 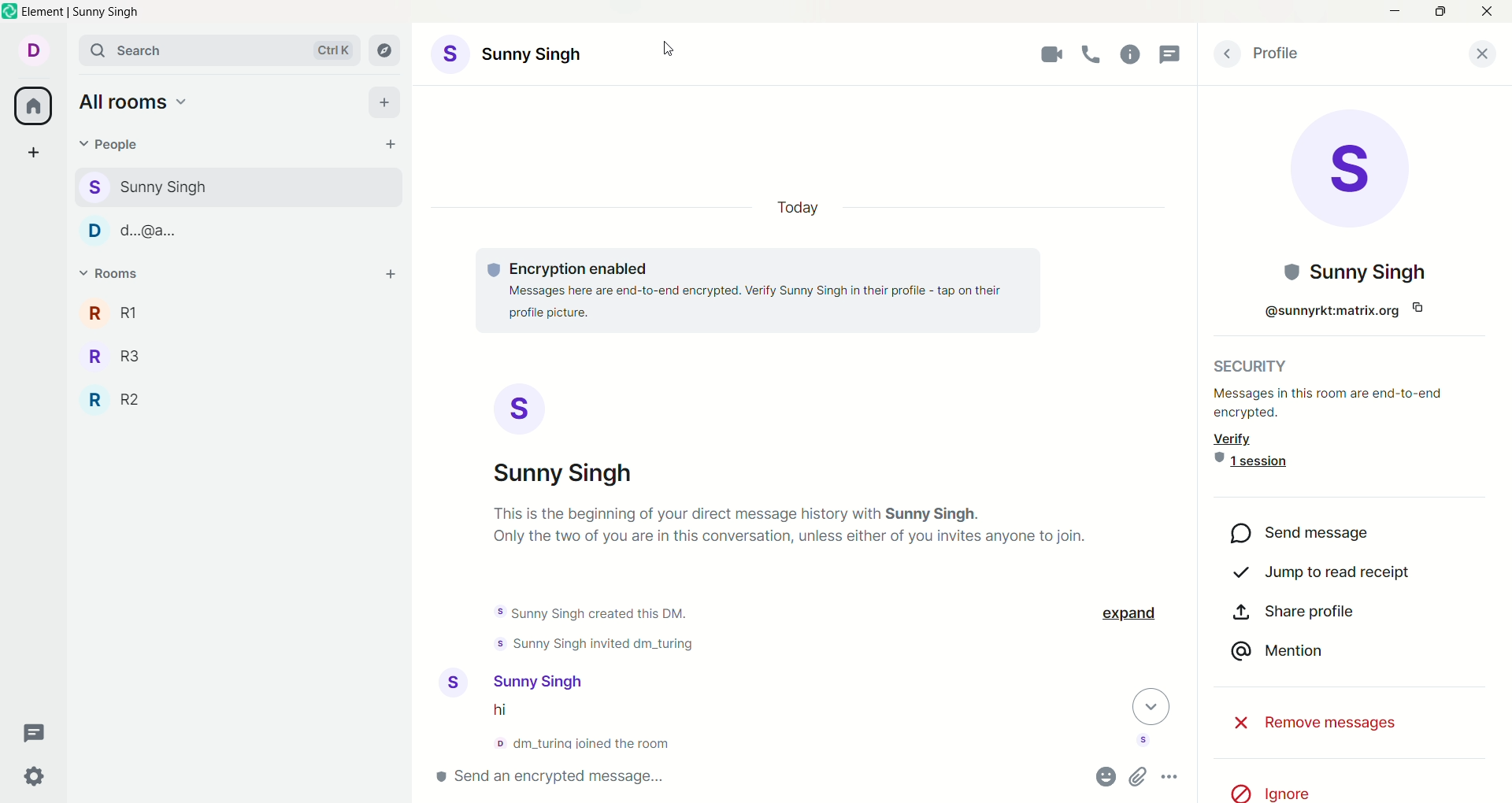 I want to click on account, so click(x=1352, y=172).